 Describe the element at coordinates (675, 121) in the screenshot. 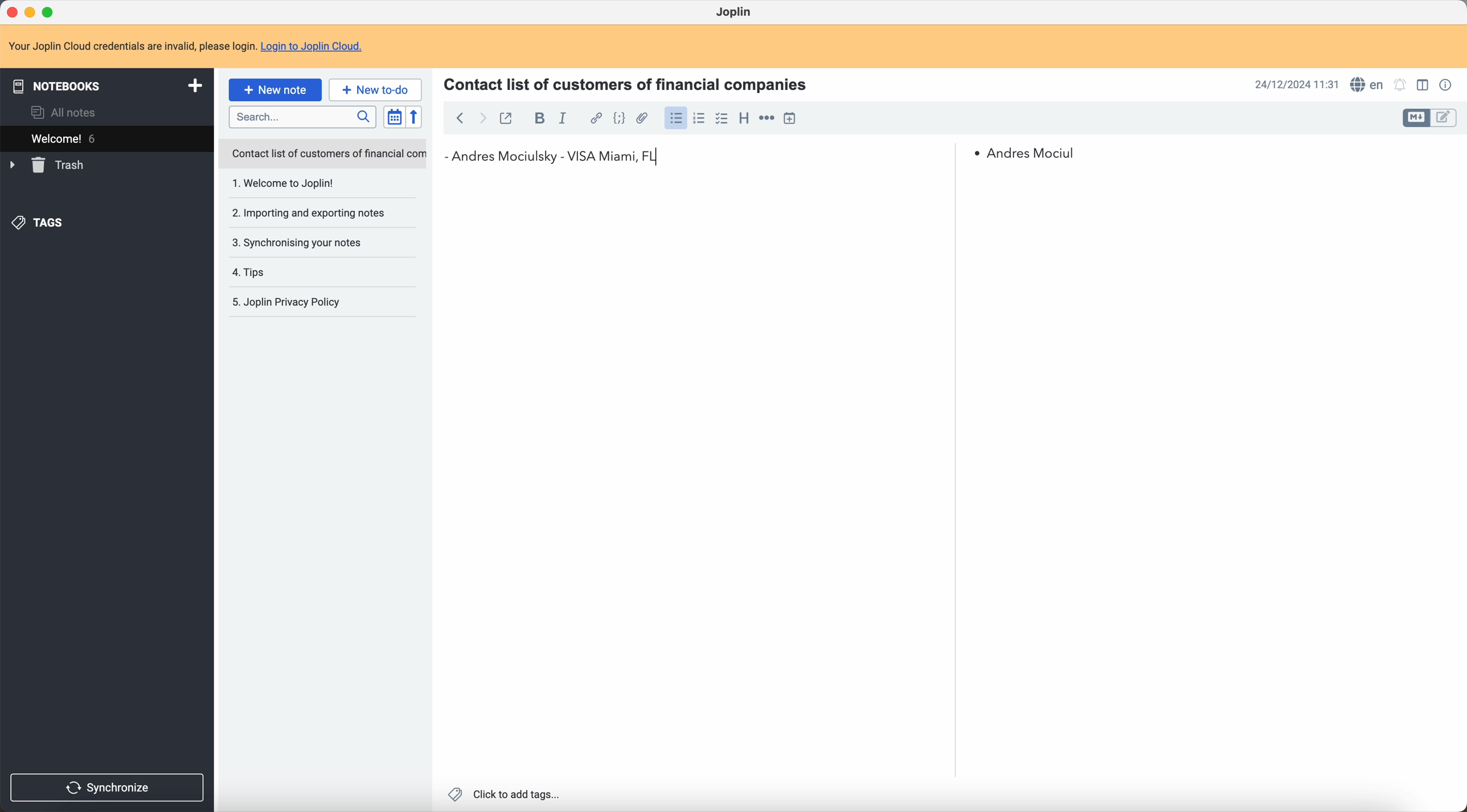

I see `click on bulleted list` at that location.